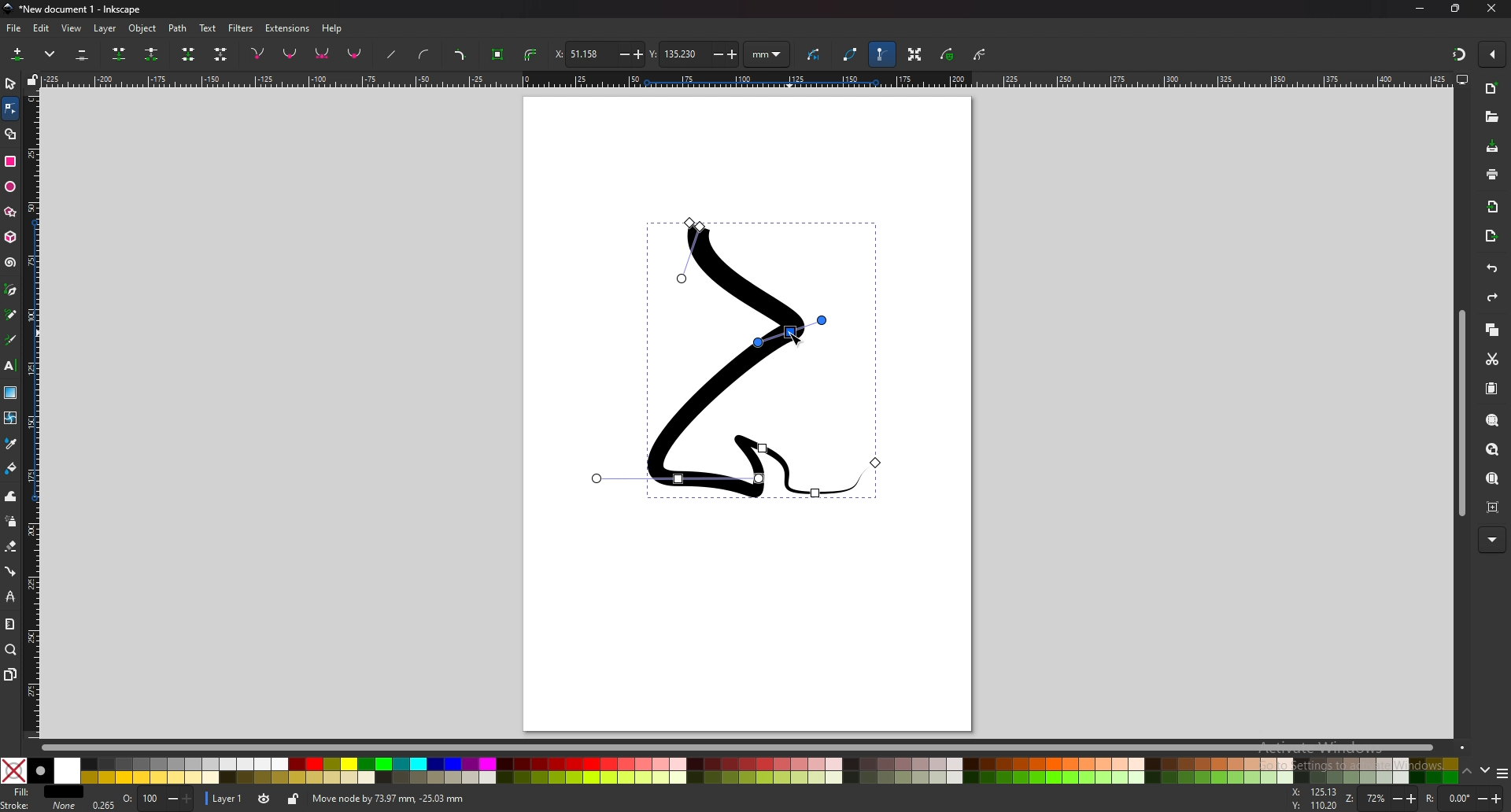 Image resolution: width=1511 pixels, height=812 pixels. I want to click on object to path, so click(500, 53).